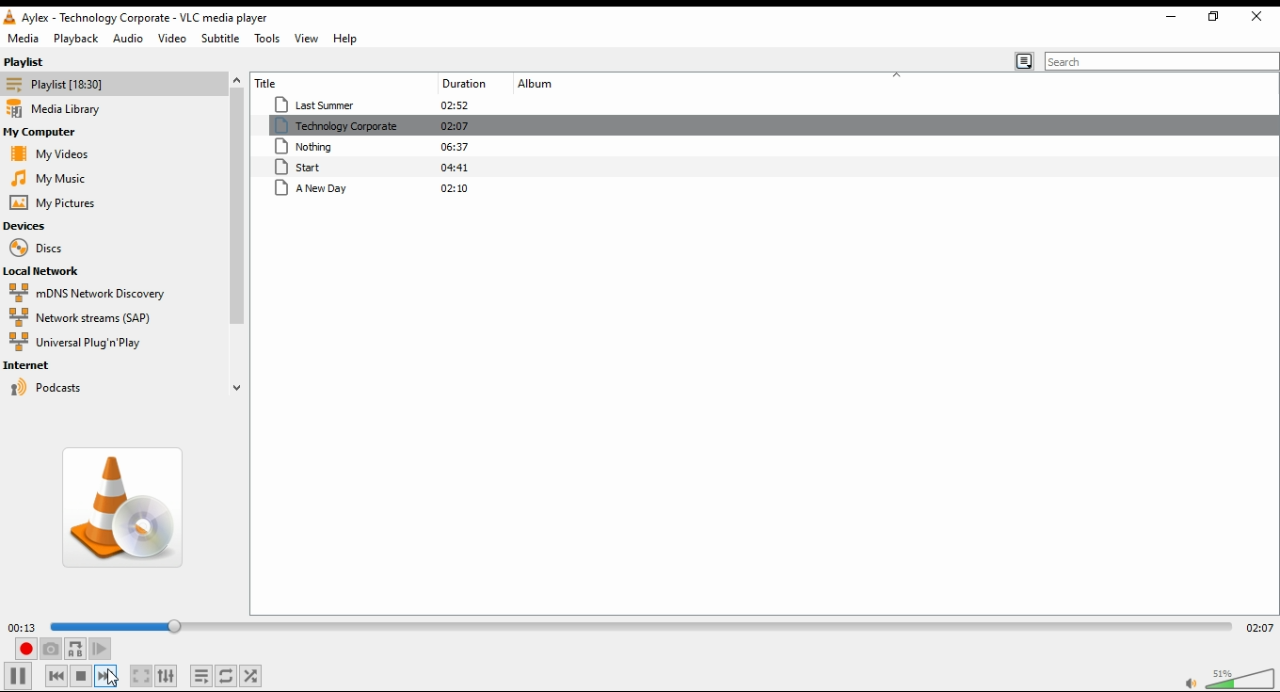 This screenshot has width=1280, height=692. Describe the element at coordinates (1023, 60) in the screenshot. I see `toggle playlist view` at that location.